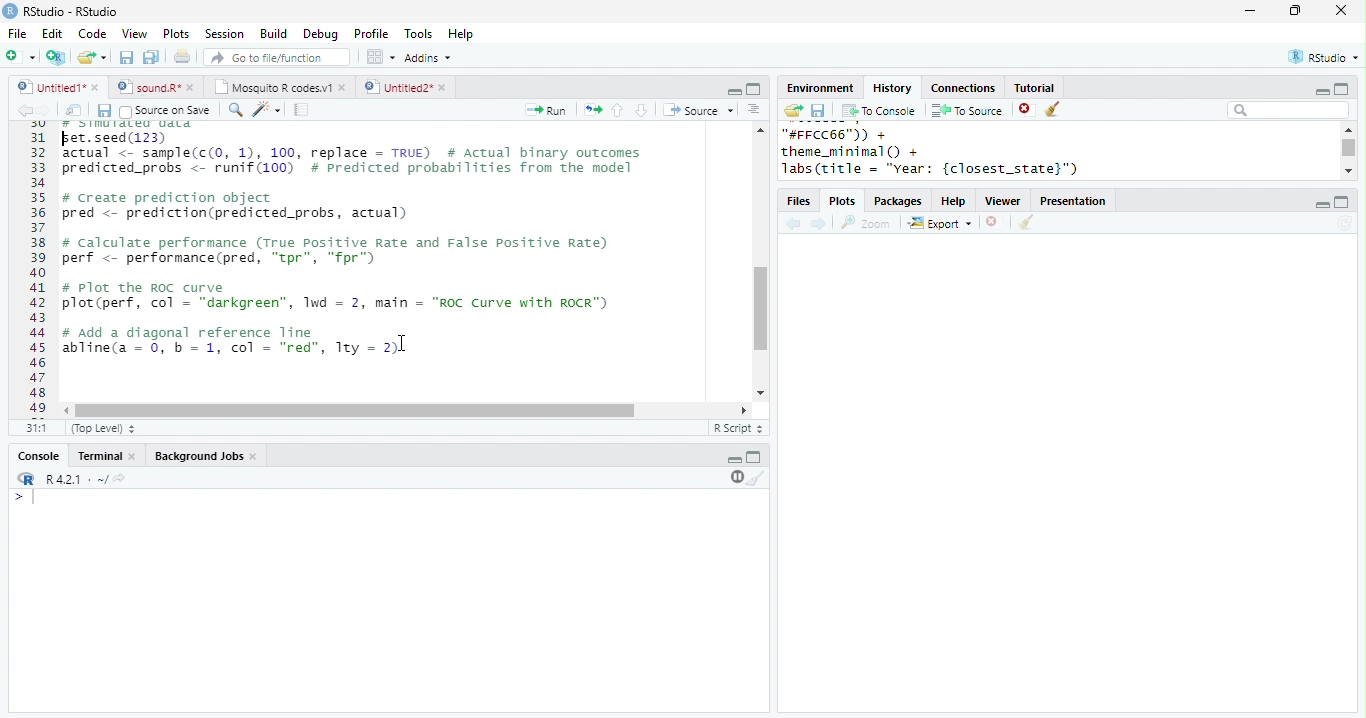 This screenshot has width=1366, height=718. What do you see at coordinates (36, 427) in the screenshot?
I see `31:1` at bounding box center [36, 427].